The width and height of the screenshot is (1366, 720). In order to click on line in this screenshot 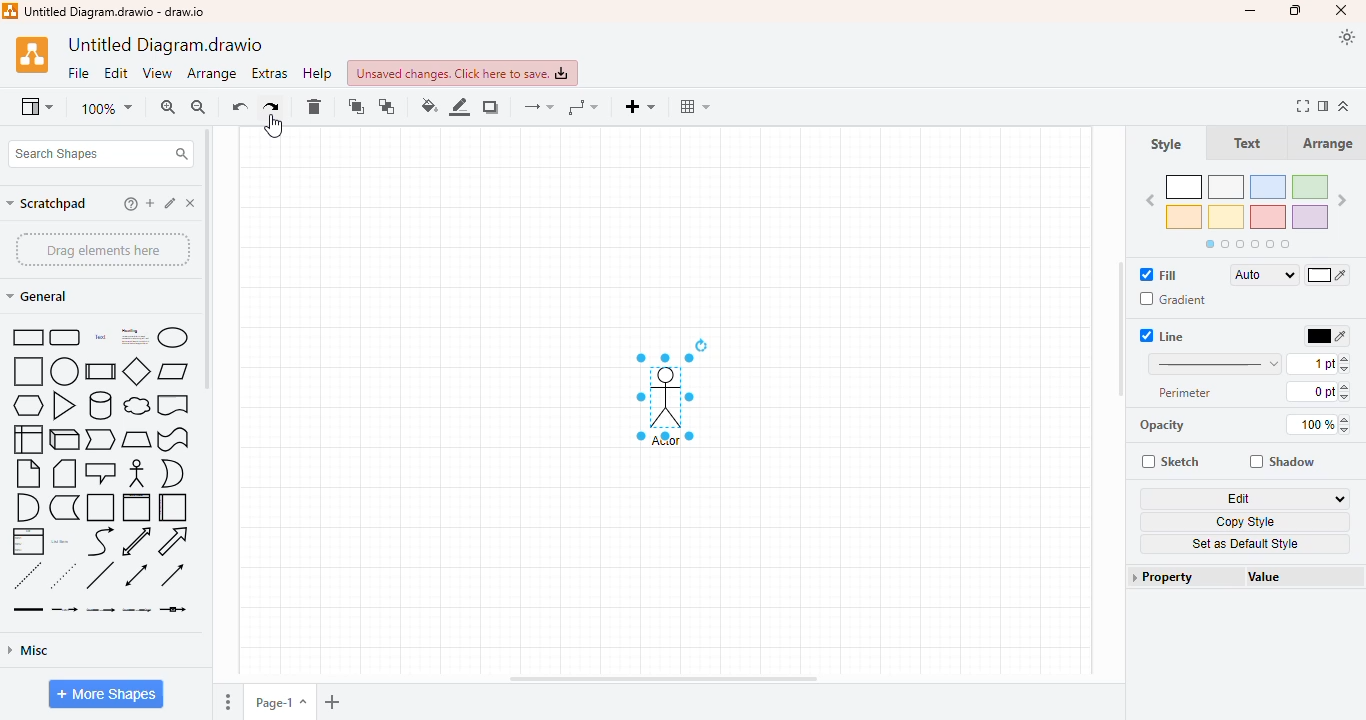, I will do `click(1214, 363)`.